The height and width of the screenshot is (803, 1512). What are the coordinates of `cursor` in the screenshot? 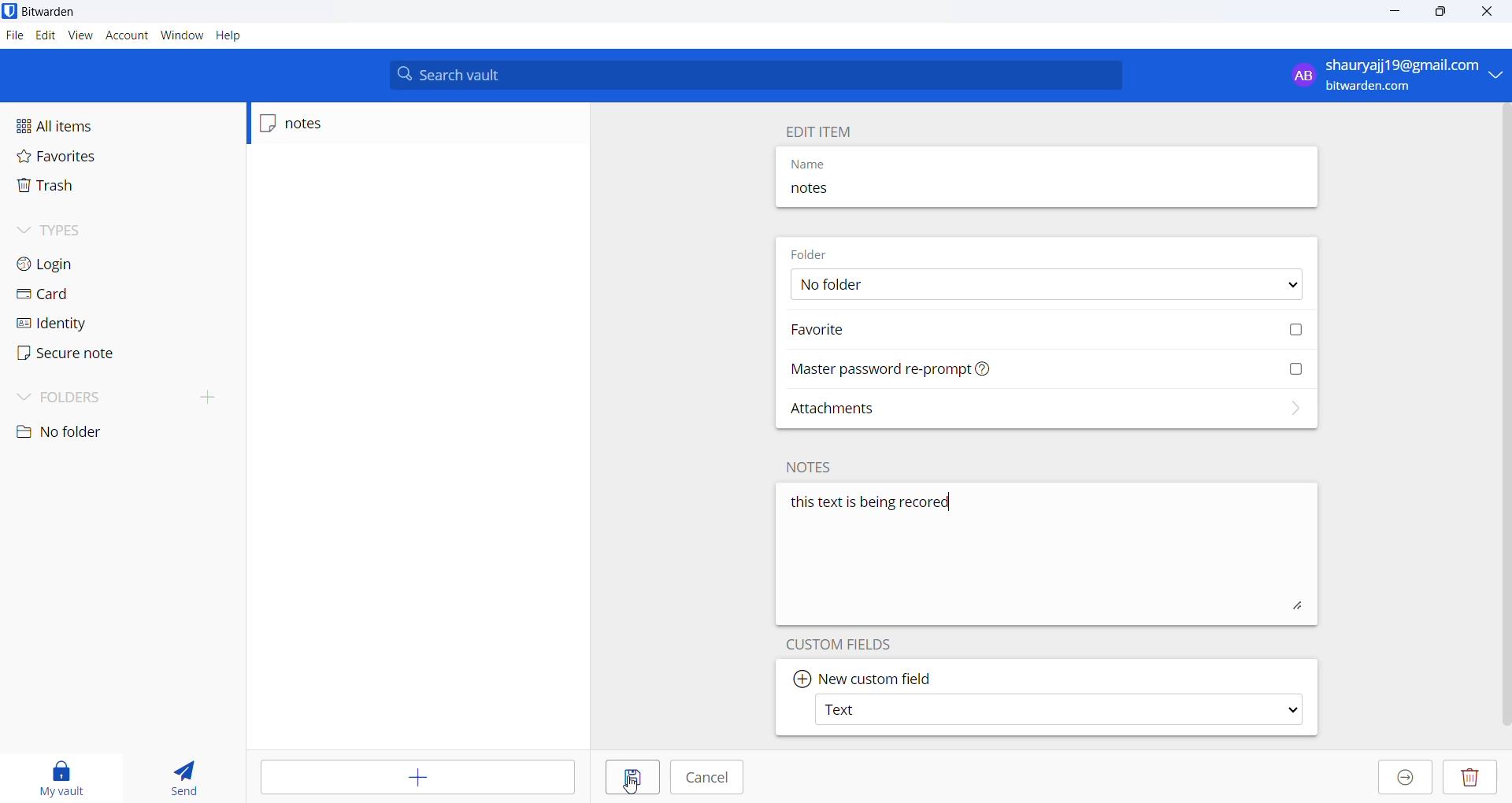 It's located at (628, 783).